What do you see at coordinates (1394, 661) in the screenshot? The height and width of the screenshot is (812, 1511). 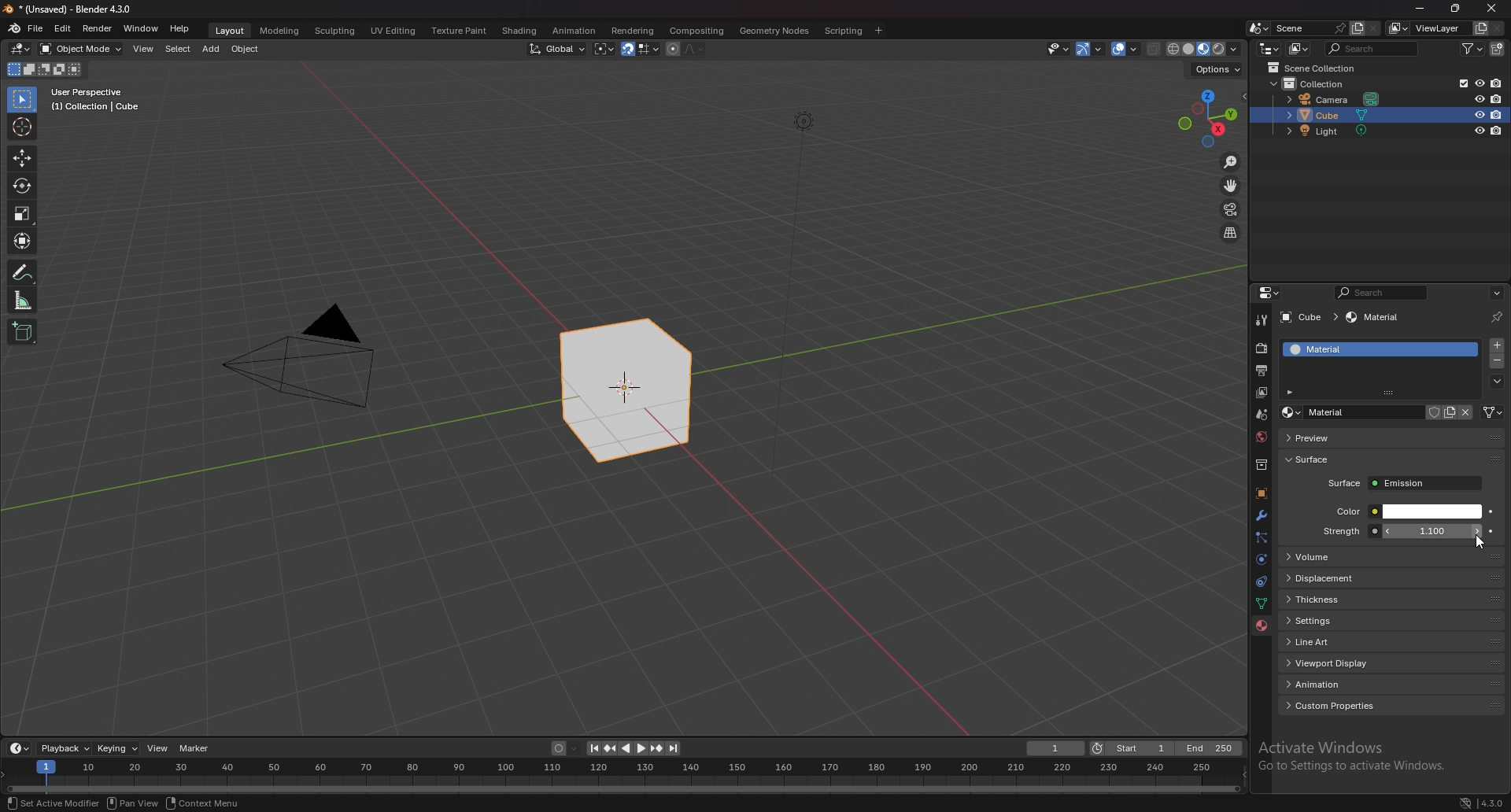 I see `viewport display` at bounding box center [1394, 661].